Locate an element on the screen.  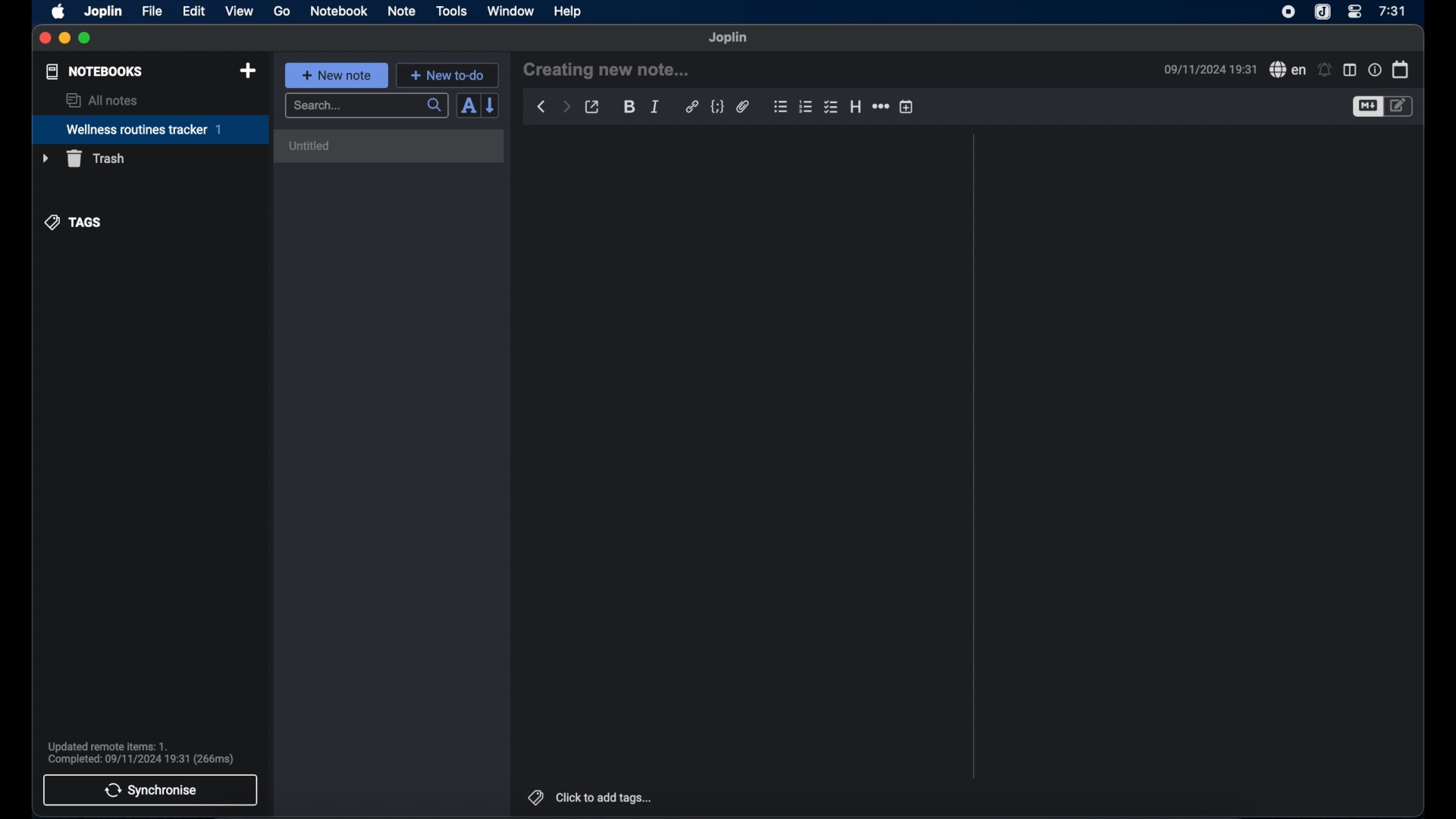
file is located at coordinates (152, 11).